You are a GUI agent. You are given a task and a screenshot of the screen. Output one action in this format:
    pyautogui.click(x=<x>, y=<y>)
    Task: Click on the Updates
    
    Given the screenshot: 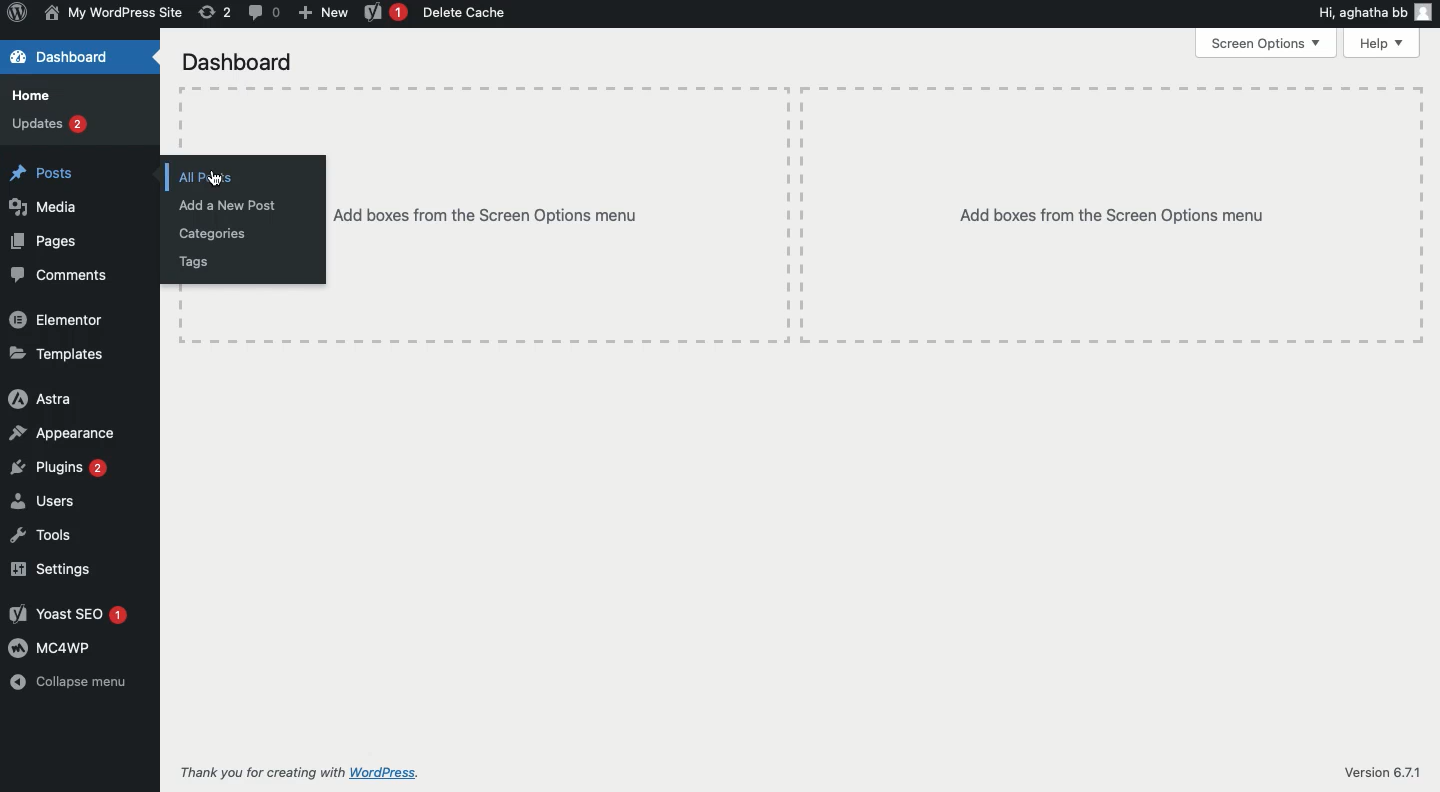 What is the action you would take?
    pyautogui.click(x=50, y=123)
    